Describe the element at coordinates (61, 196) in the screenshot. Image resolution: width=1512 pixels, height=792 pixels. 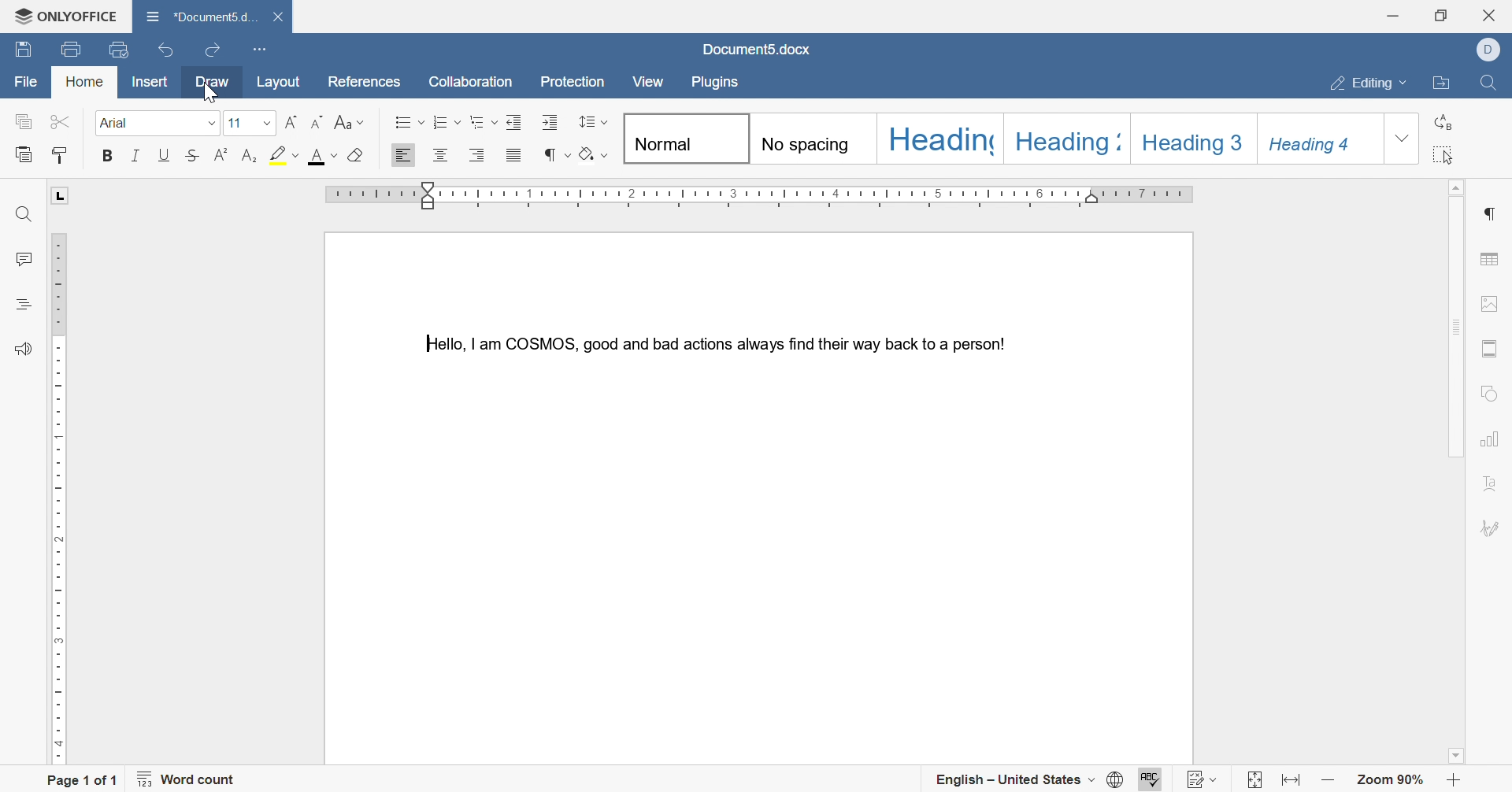
I see `L` at that location.